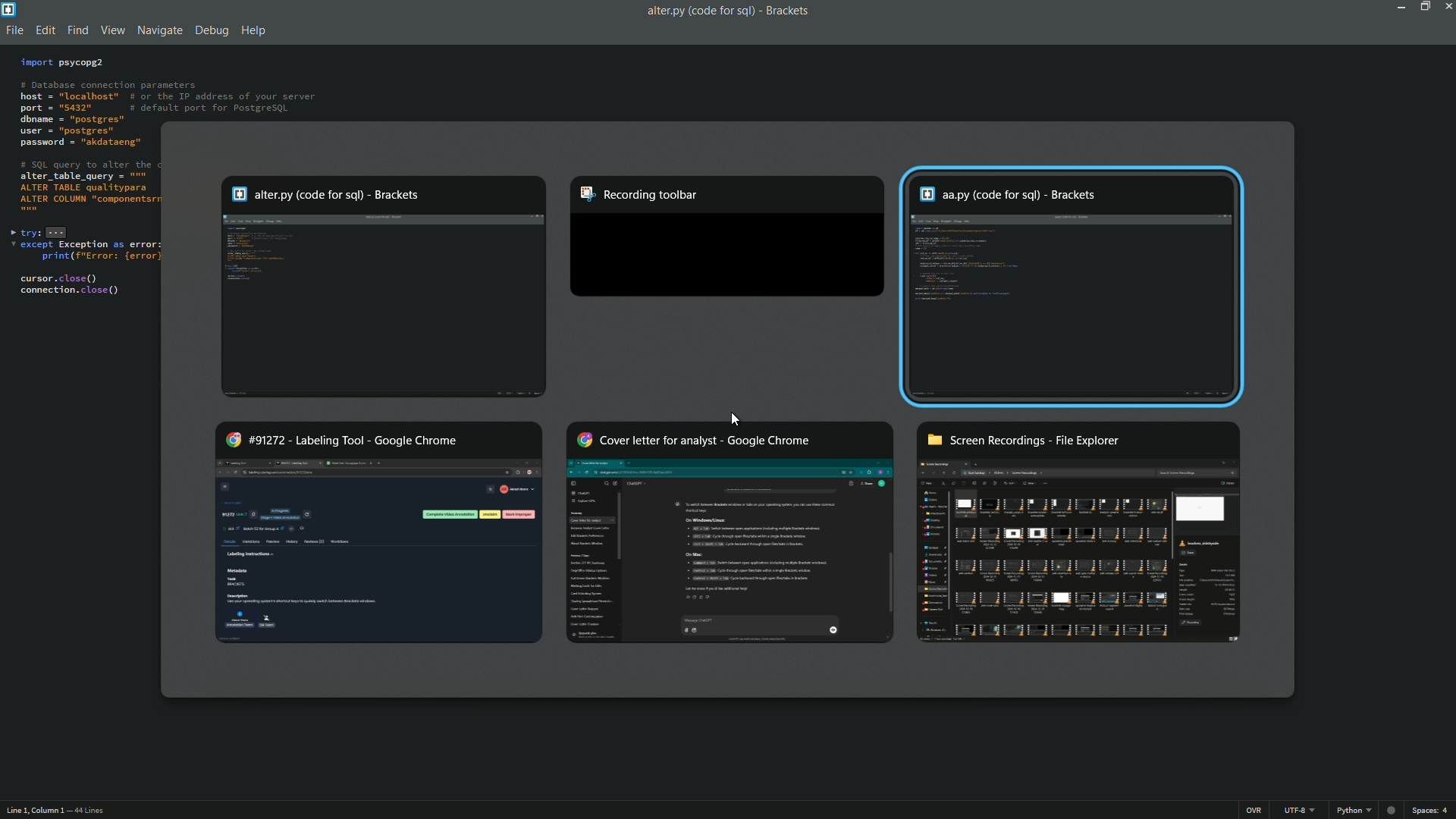 The height and width of the screenshot is (819, 1456). Describe the element at coordinates (1423, 7) in the screenshot. I see `maximize` at that location.